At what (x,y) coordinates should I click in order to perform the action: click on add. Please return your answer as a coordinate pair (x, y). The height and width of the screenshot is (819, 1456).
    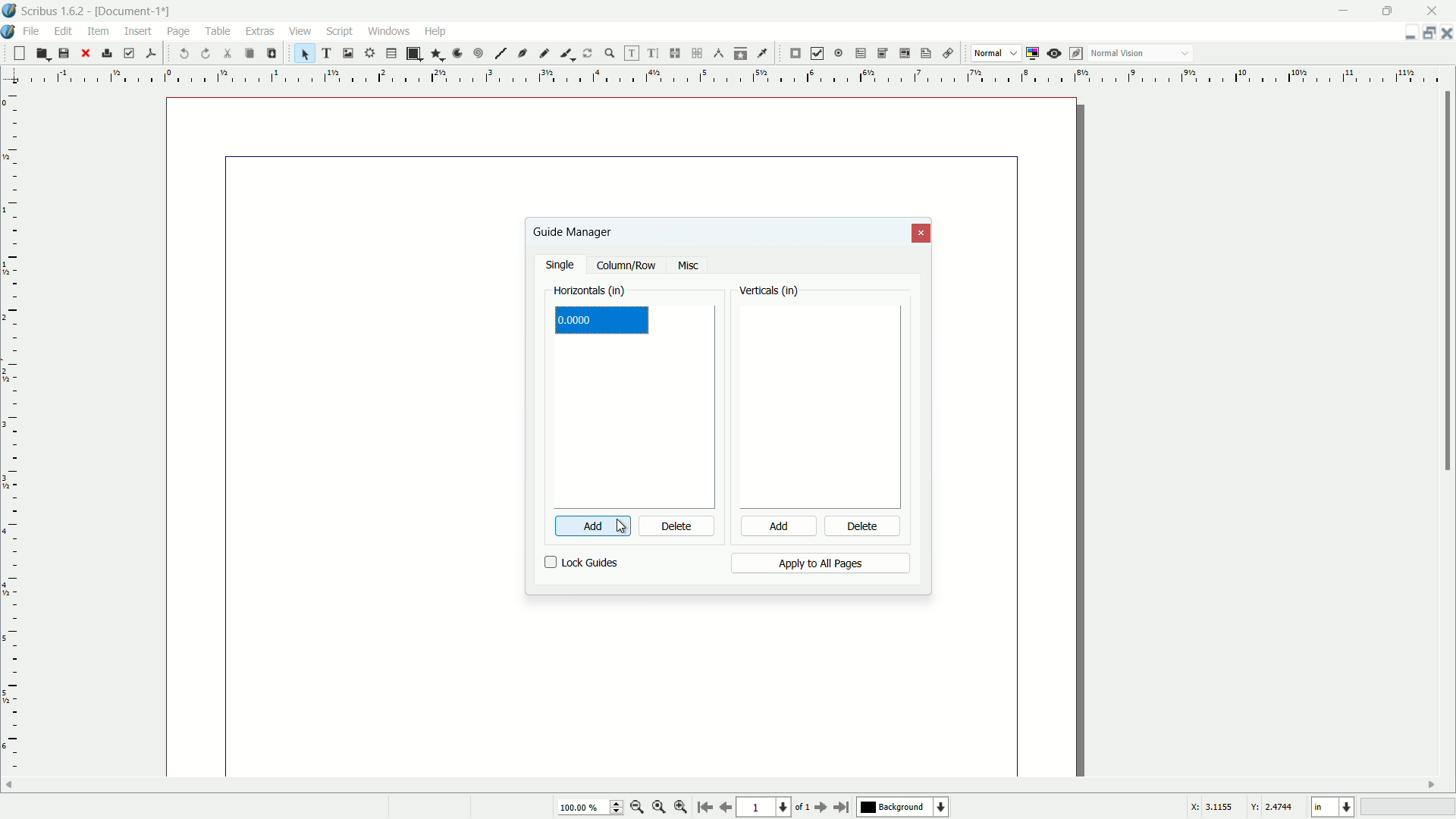
    Looking at the image, I should click on (583, 526).